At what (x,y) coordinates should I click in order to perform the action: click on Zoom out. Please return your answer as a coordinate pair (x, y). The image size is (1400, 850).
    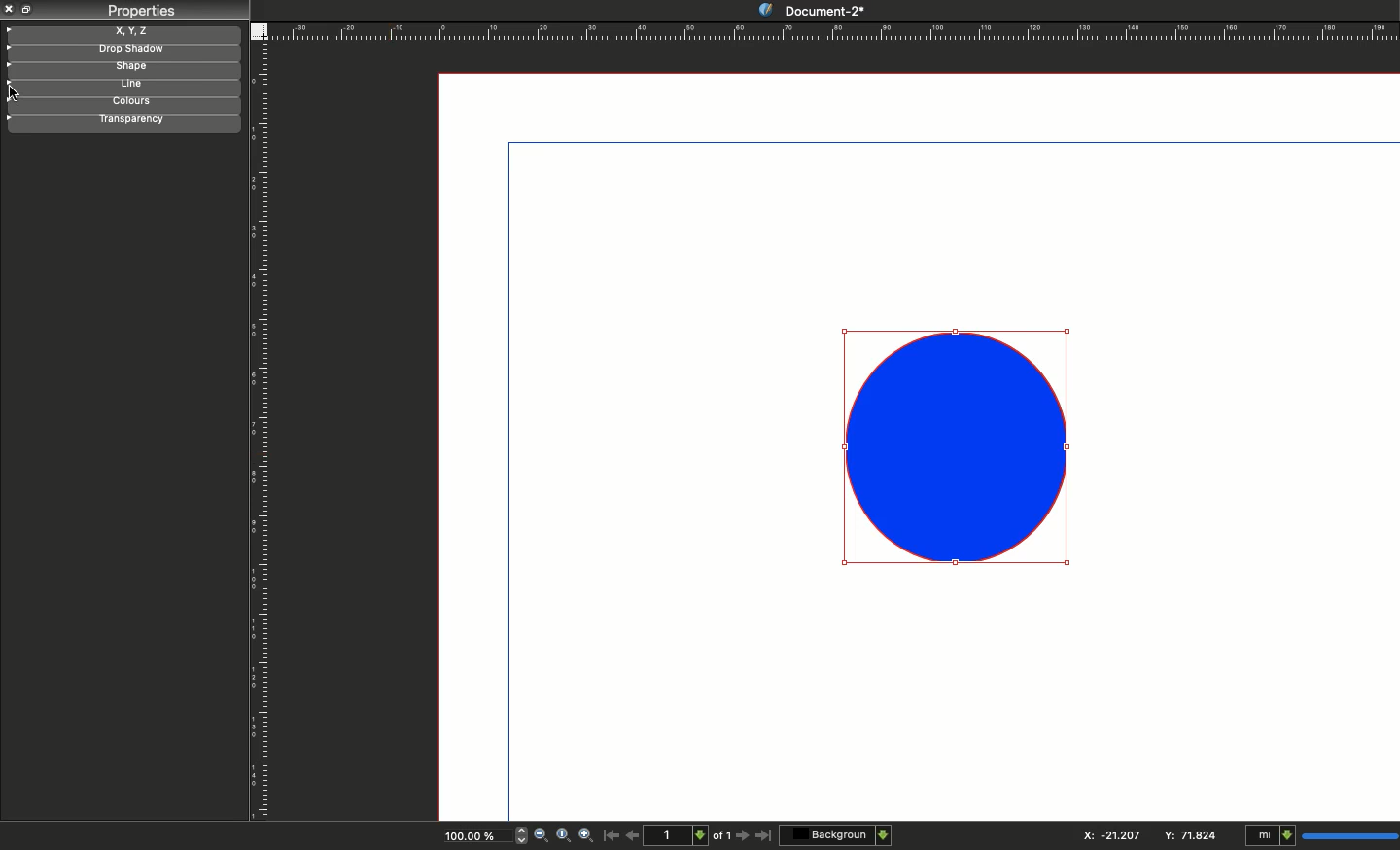
    Looking at the image, I should click on (541, 836).